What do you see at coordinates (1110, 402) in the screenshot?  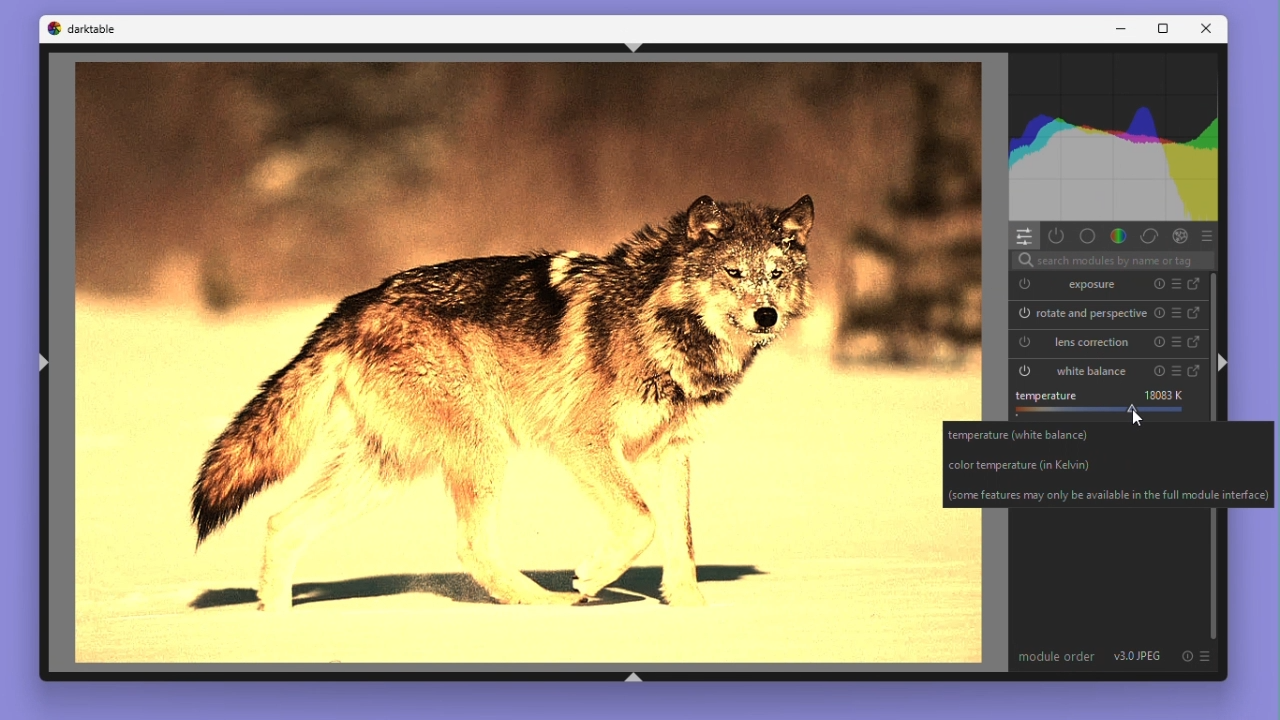 I see `tempearture` at bounding box center [1110, 402].